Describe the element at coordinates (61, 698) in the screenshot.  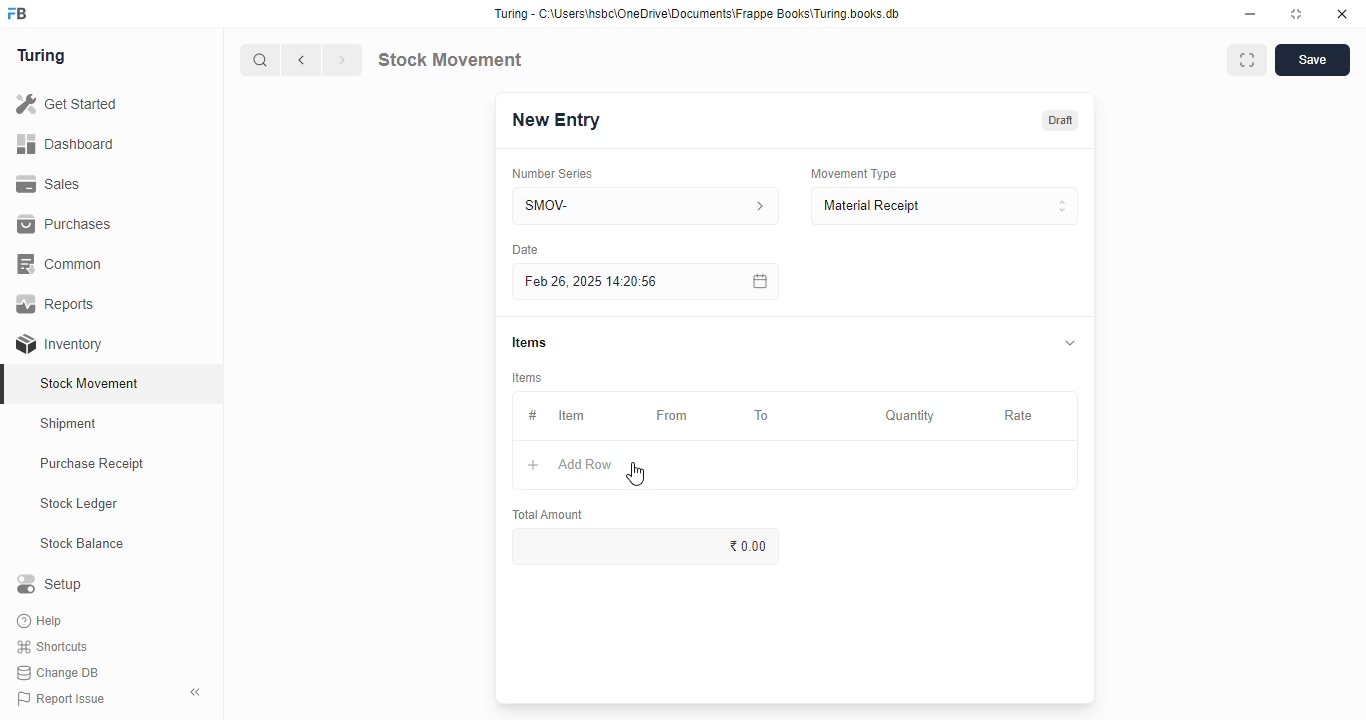
I see `report issue` at that location.